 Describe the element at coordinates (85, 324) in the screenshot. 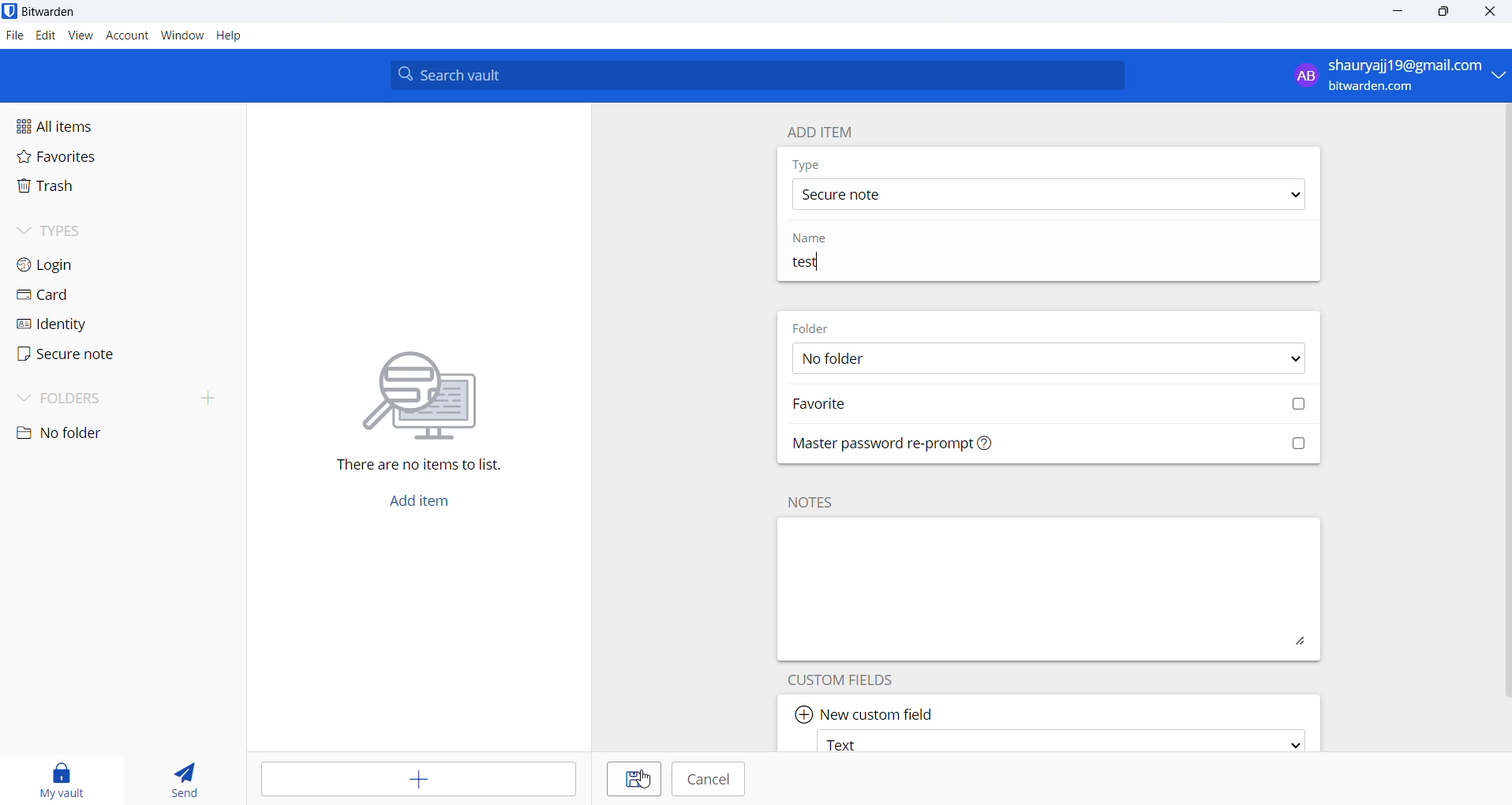

I see `identity` at that location.